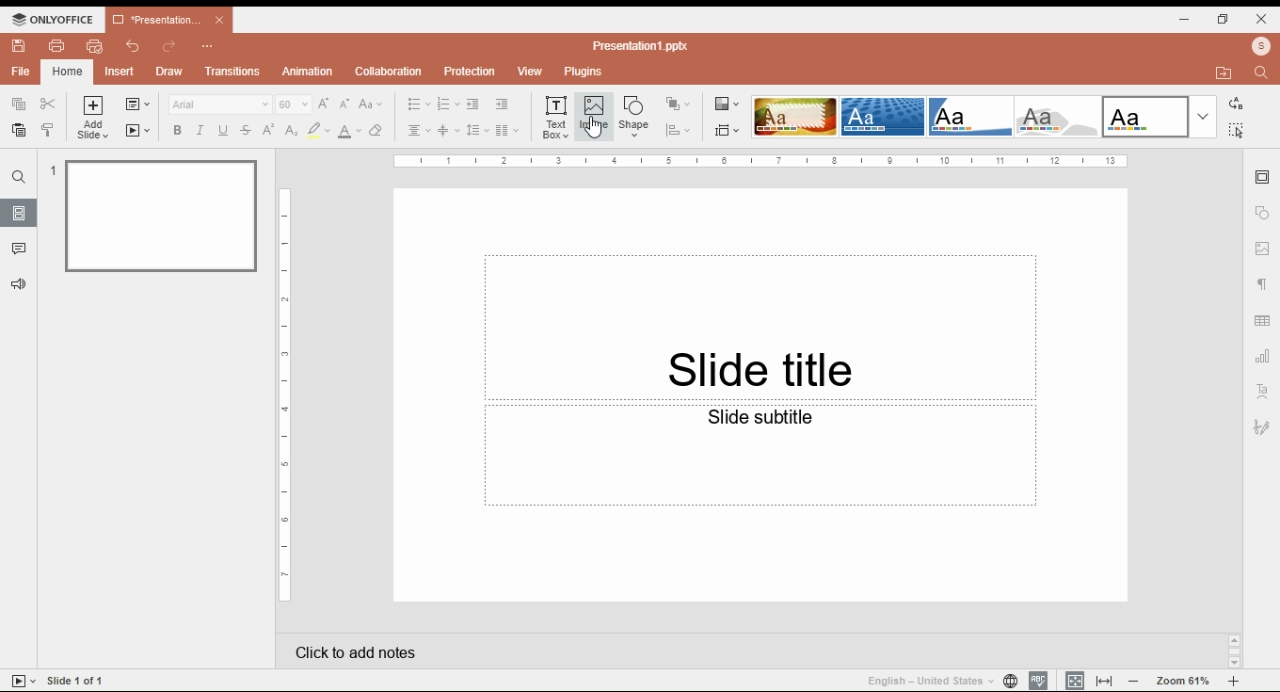 The width and height of the screenshot is (1280, 692). Describe the element at coordinates (596, 128) in the screenshot. I see `Cursor` at that location.